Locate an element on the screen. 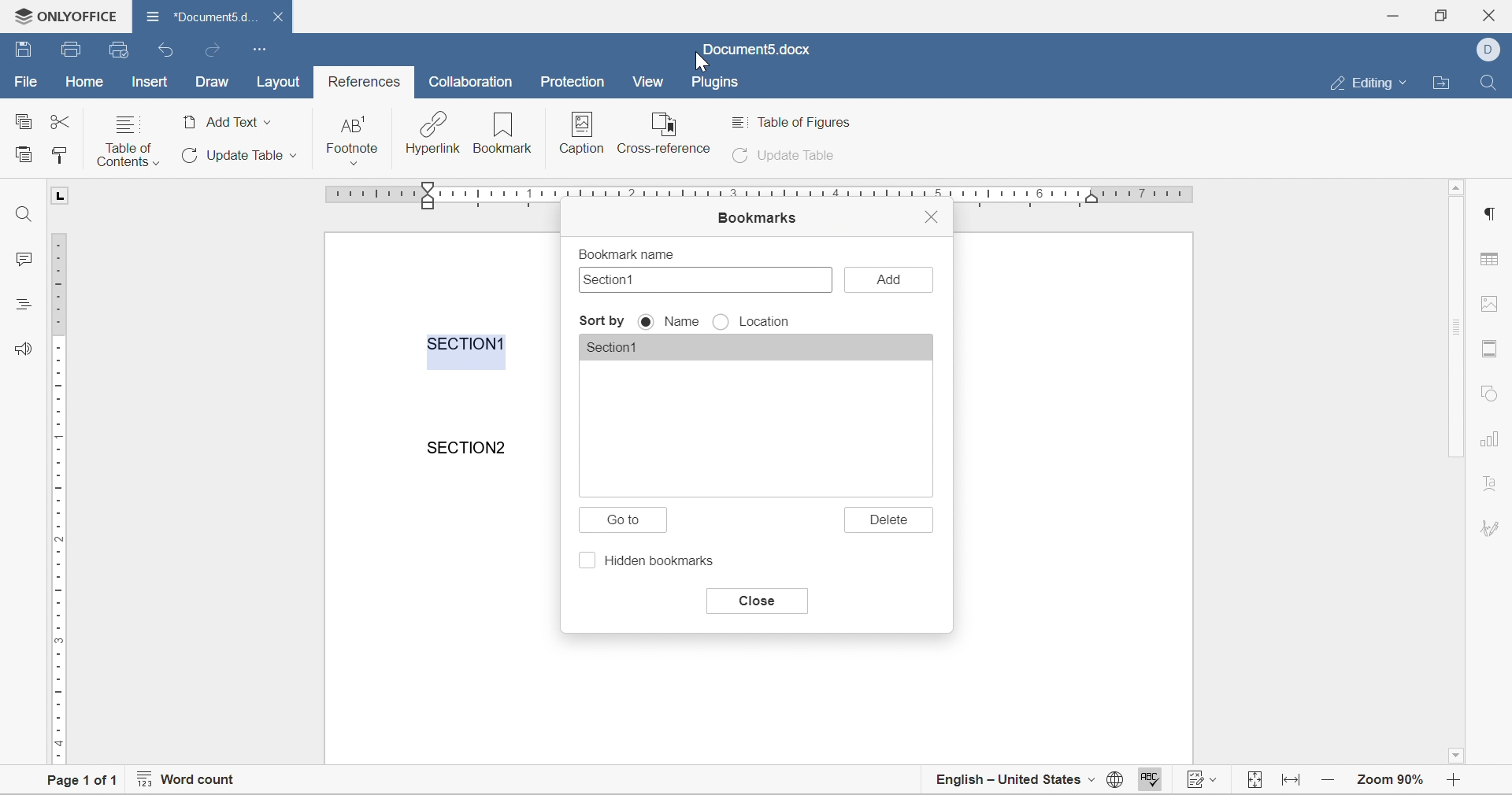 The width and height of the screenshot is (1512, 795). protection is located at coordinates (573, 81).